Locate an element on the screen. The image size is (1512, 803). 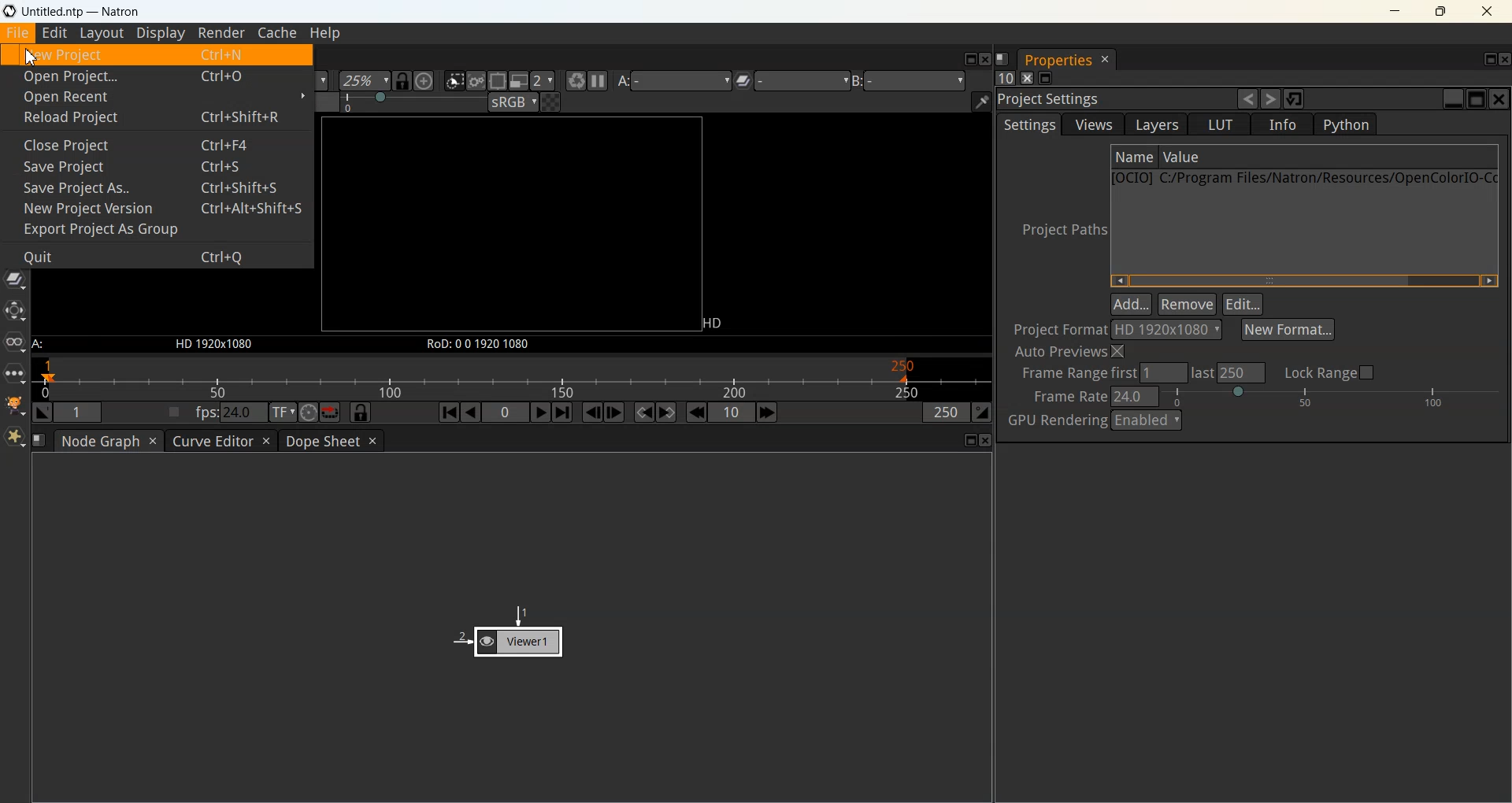
Close Project is located at coordinates (155, 142).